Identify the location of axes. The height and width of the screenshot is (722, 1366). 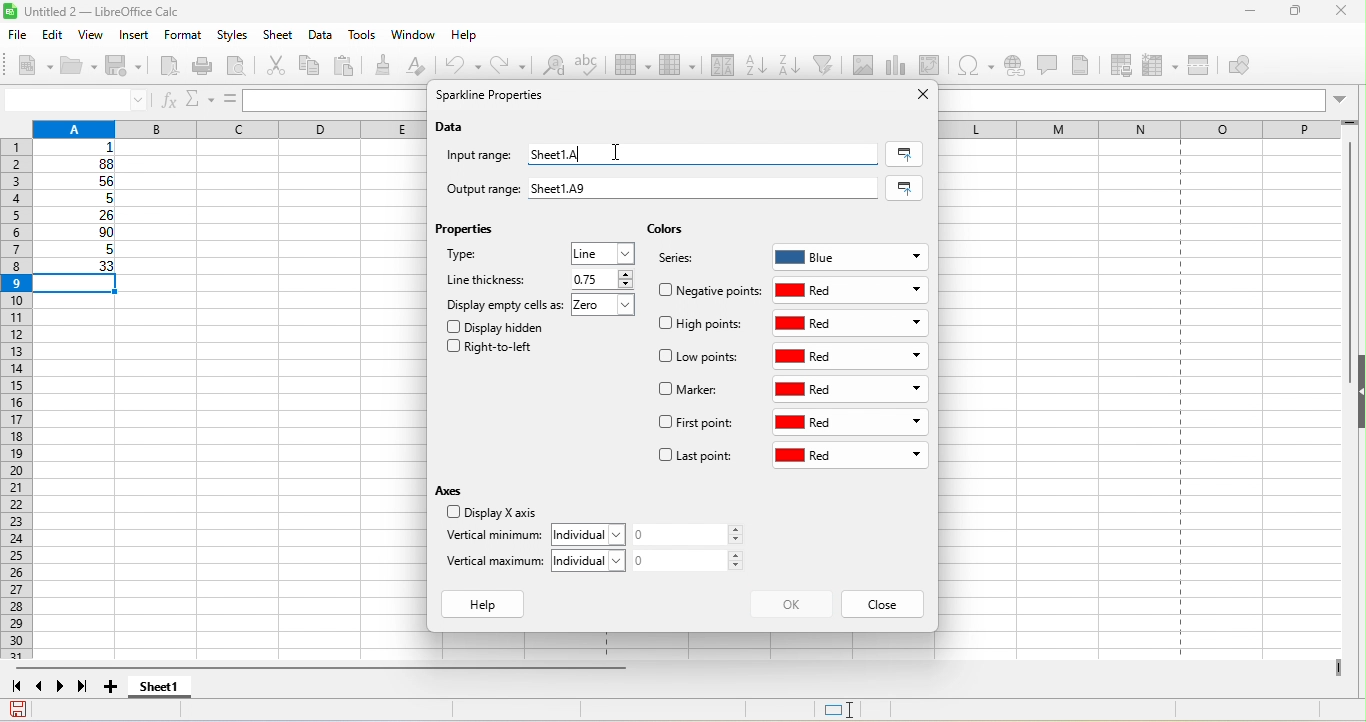
(453, 490).